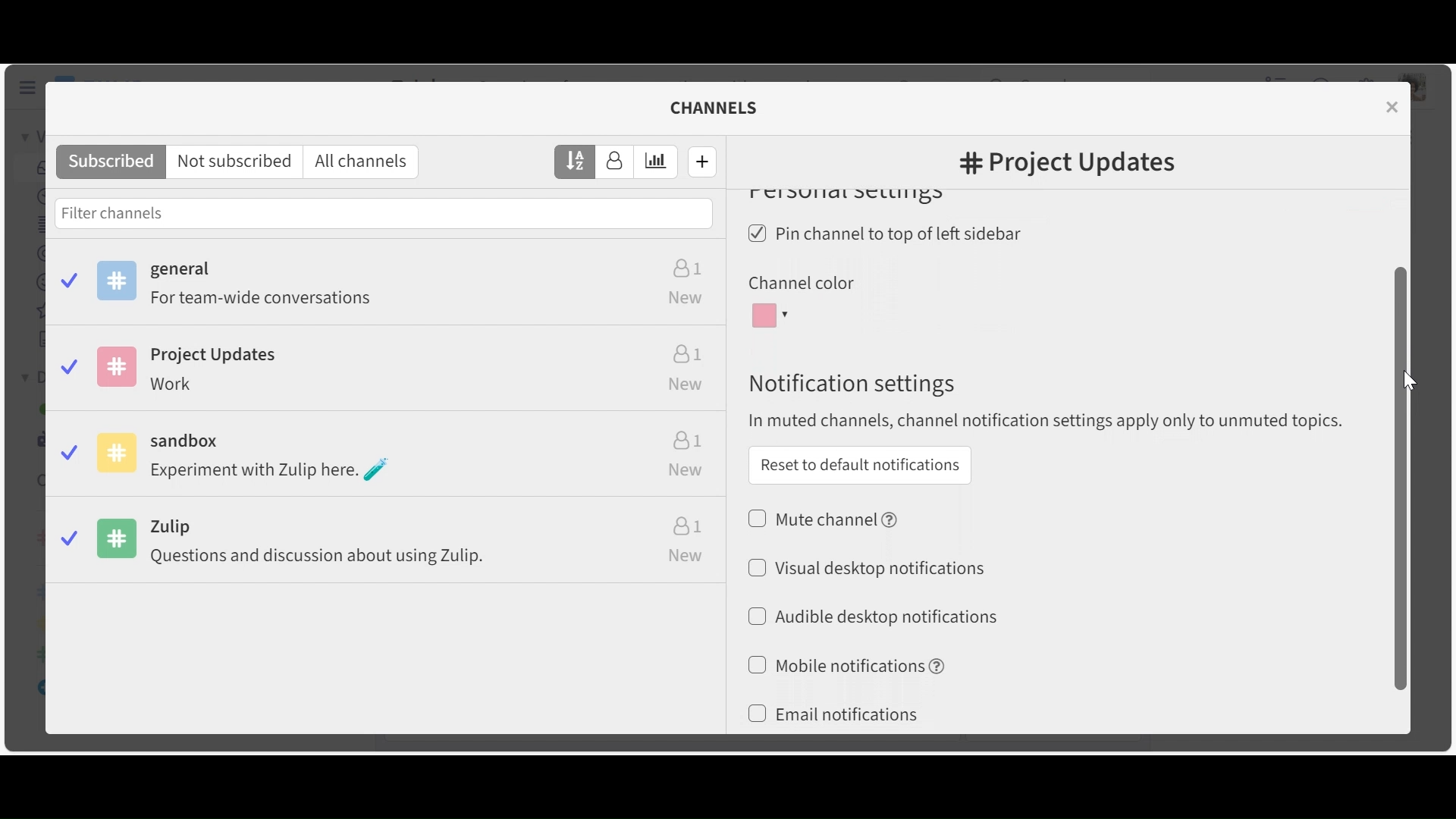  I want to click on Sort by number of subscribers, so click(615, 162).